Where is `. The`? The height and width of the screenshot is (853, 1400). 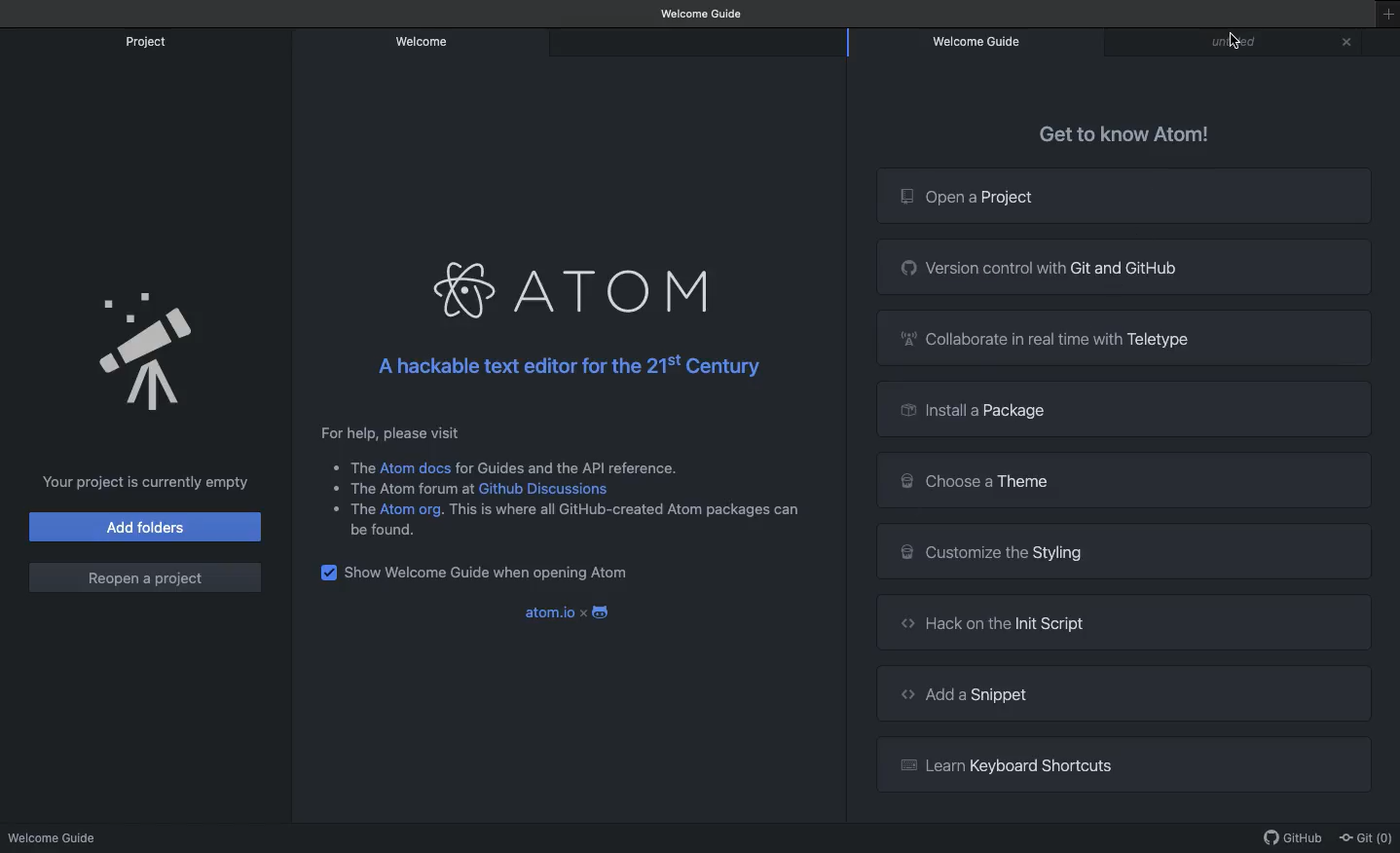 . The is located at coordinates (352, 466).